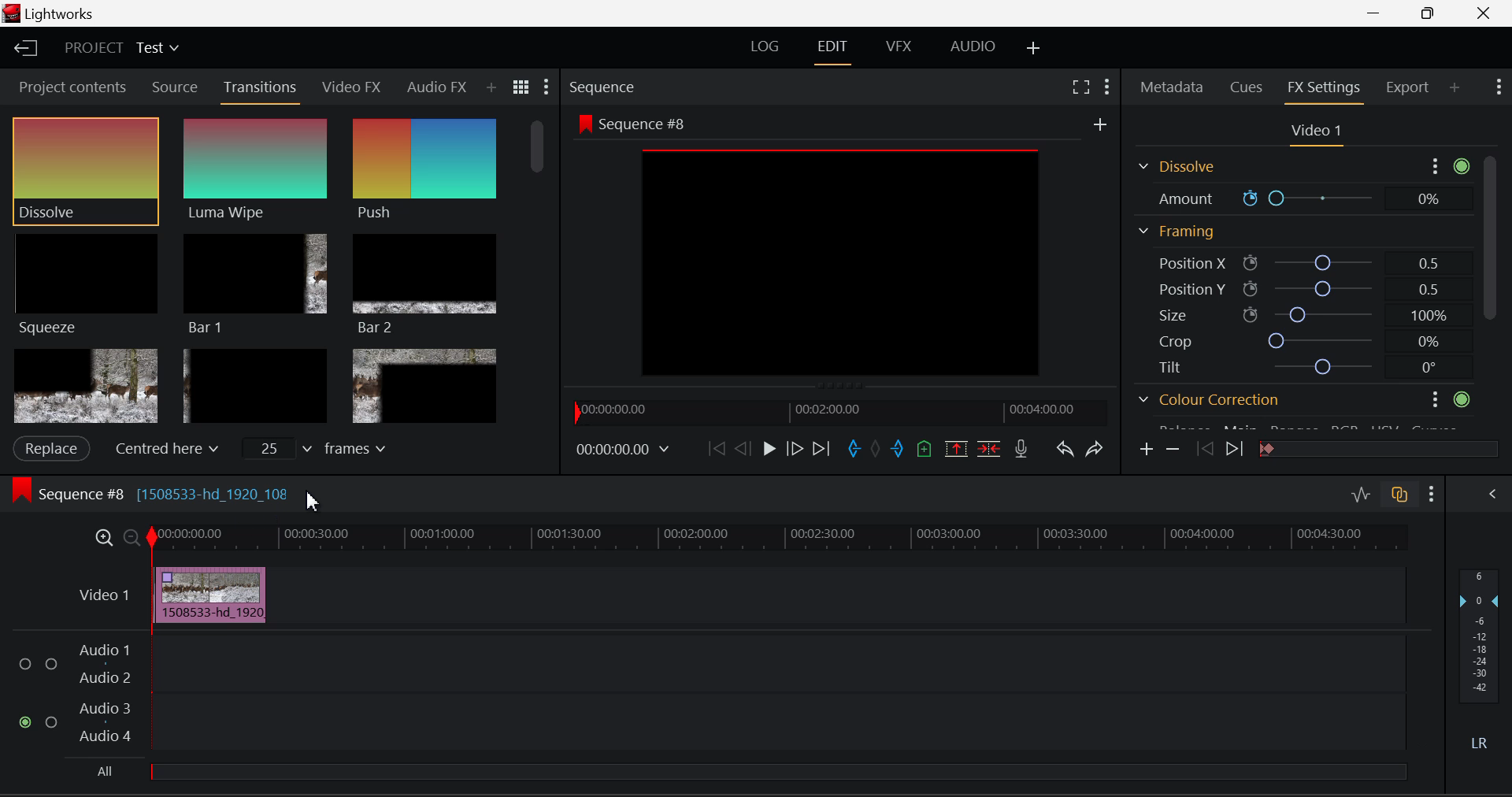 Image resolution: width=1512 pixels, height=797 pixels. I want to click on Amount, so click(1299, 198).